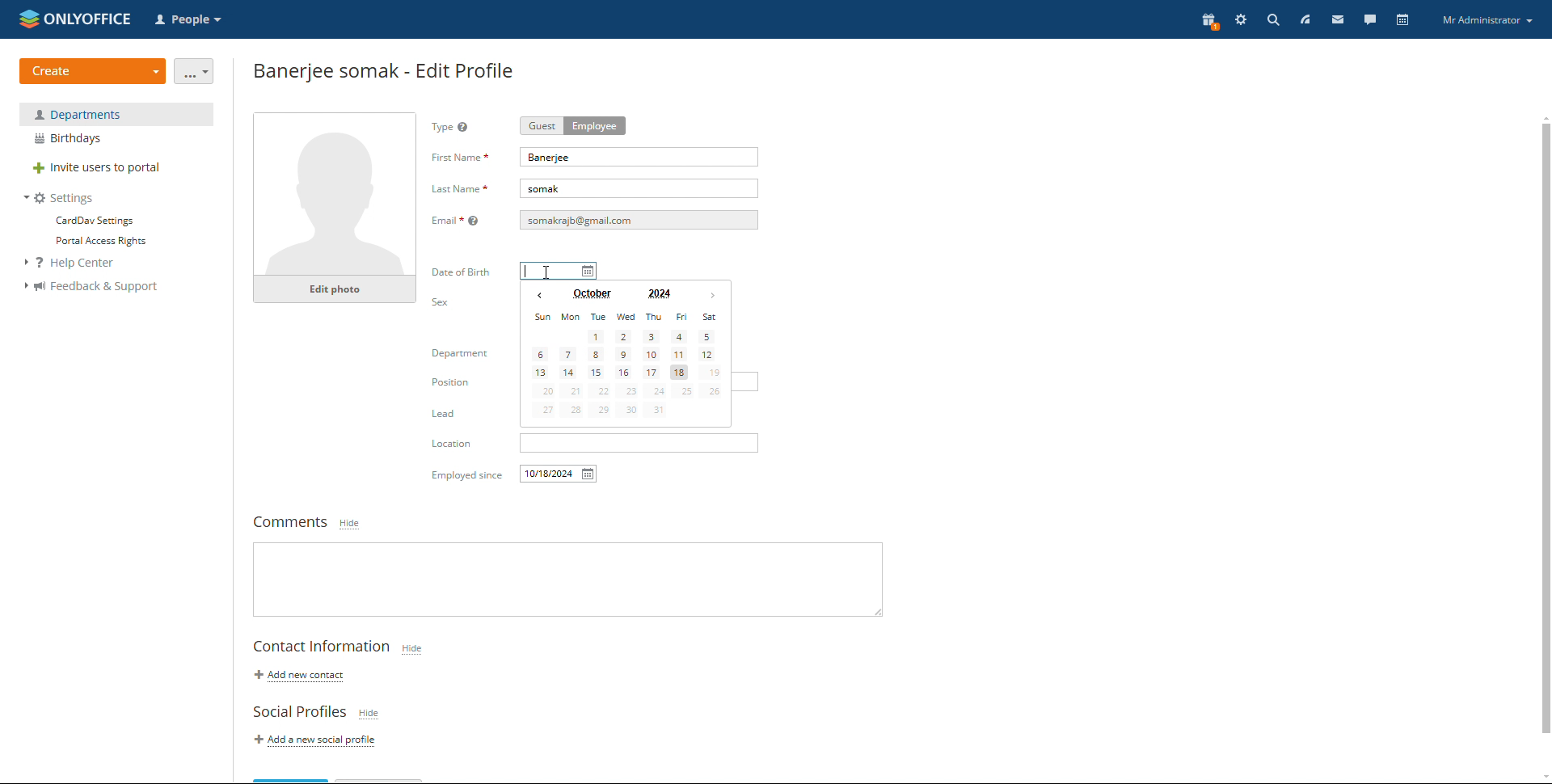  Describe the element at coordinates (463, 272) in the screenshot. I see `date of birth` at that location.